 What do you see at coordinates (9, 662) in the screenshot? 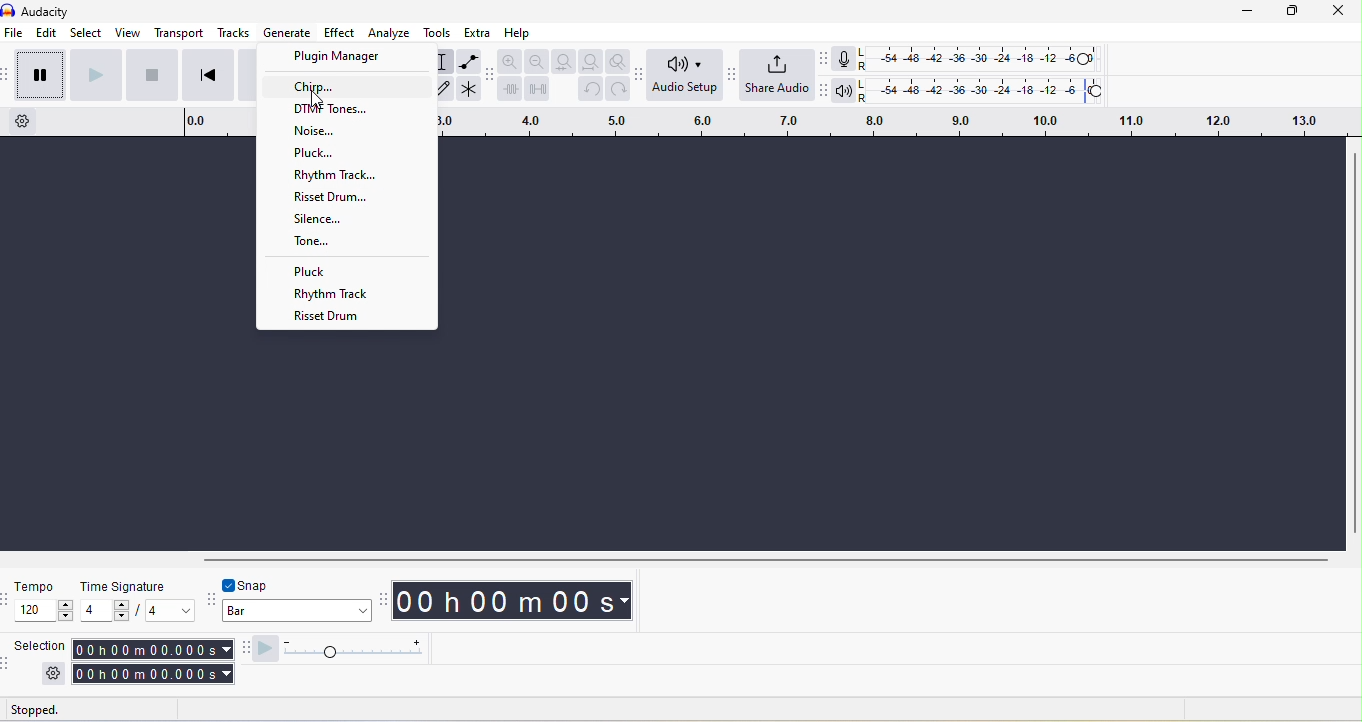
I see `audacity selection toolbar` at bounding box center [9, 662].